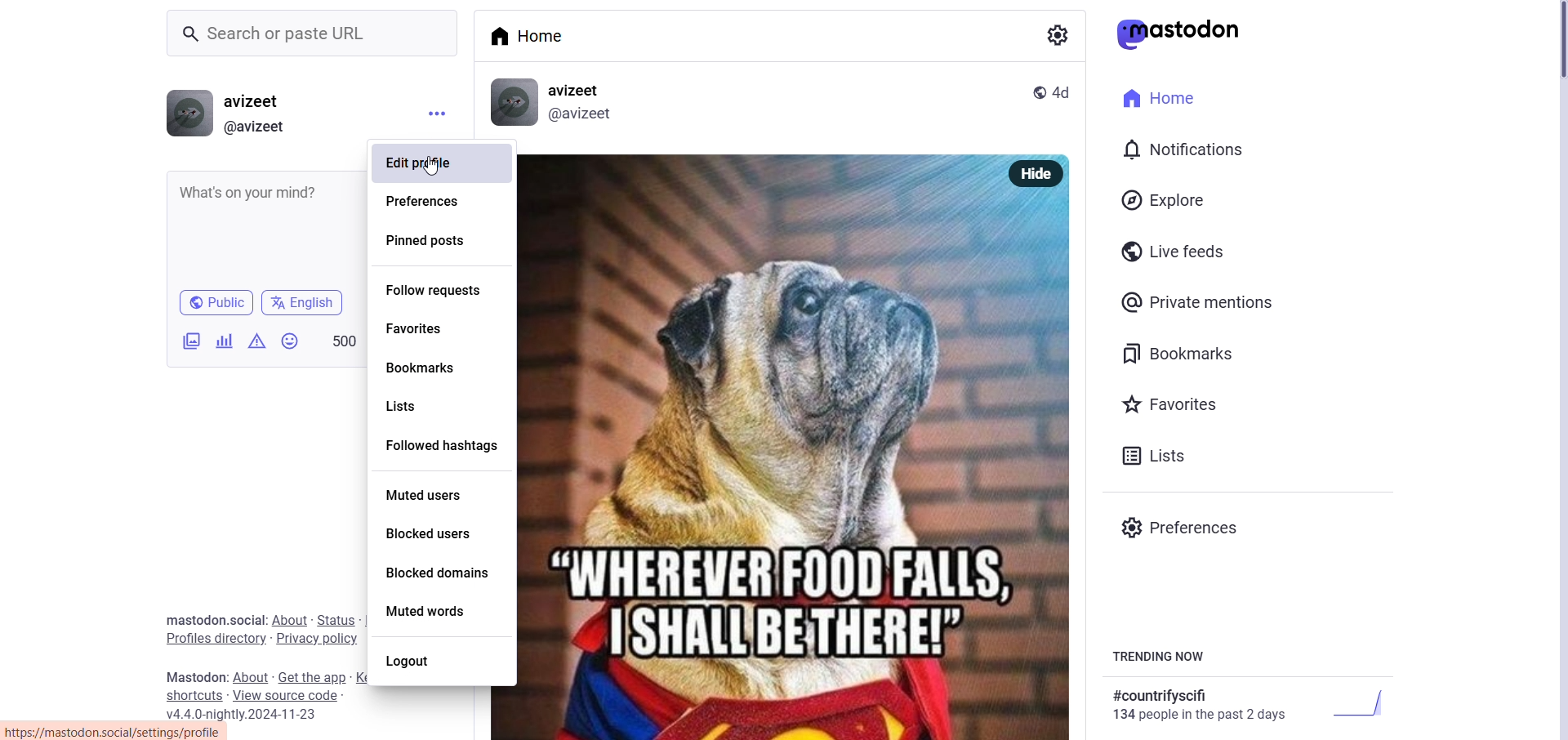 This screenshot has height=740, width=1568. Describe the element at coordinates (433, 165) in the screenshot. I see `Cursor` at that location.